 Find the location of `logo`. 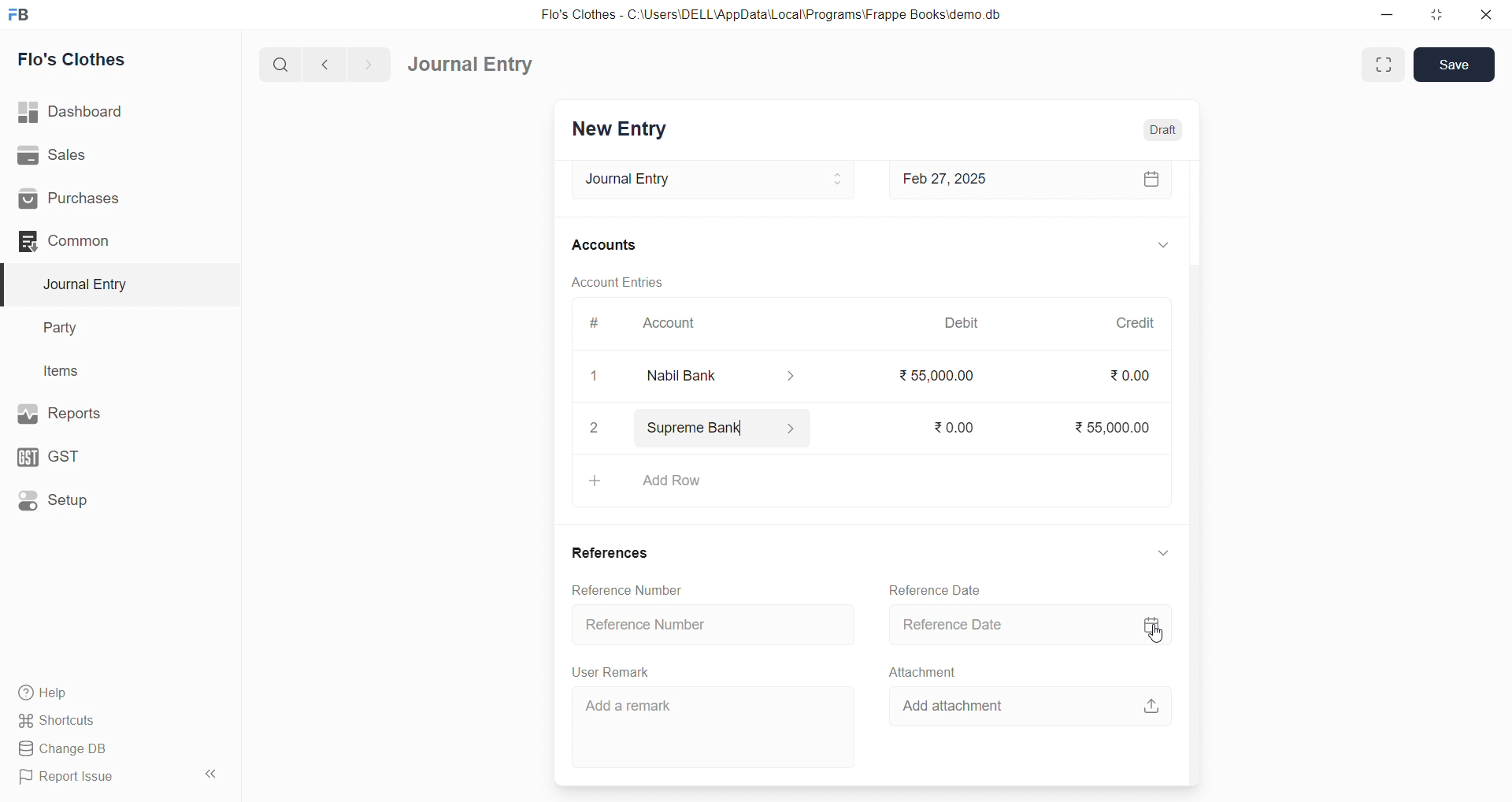

logo is located at coordinates (24, 13).